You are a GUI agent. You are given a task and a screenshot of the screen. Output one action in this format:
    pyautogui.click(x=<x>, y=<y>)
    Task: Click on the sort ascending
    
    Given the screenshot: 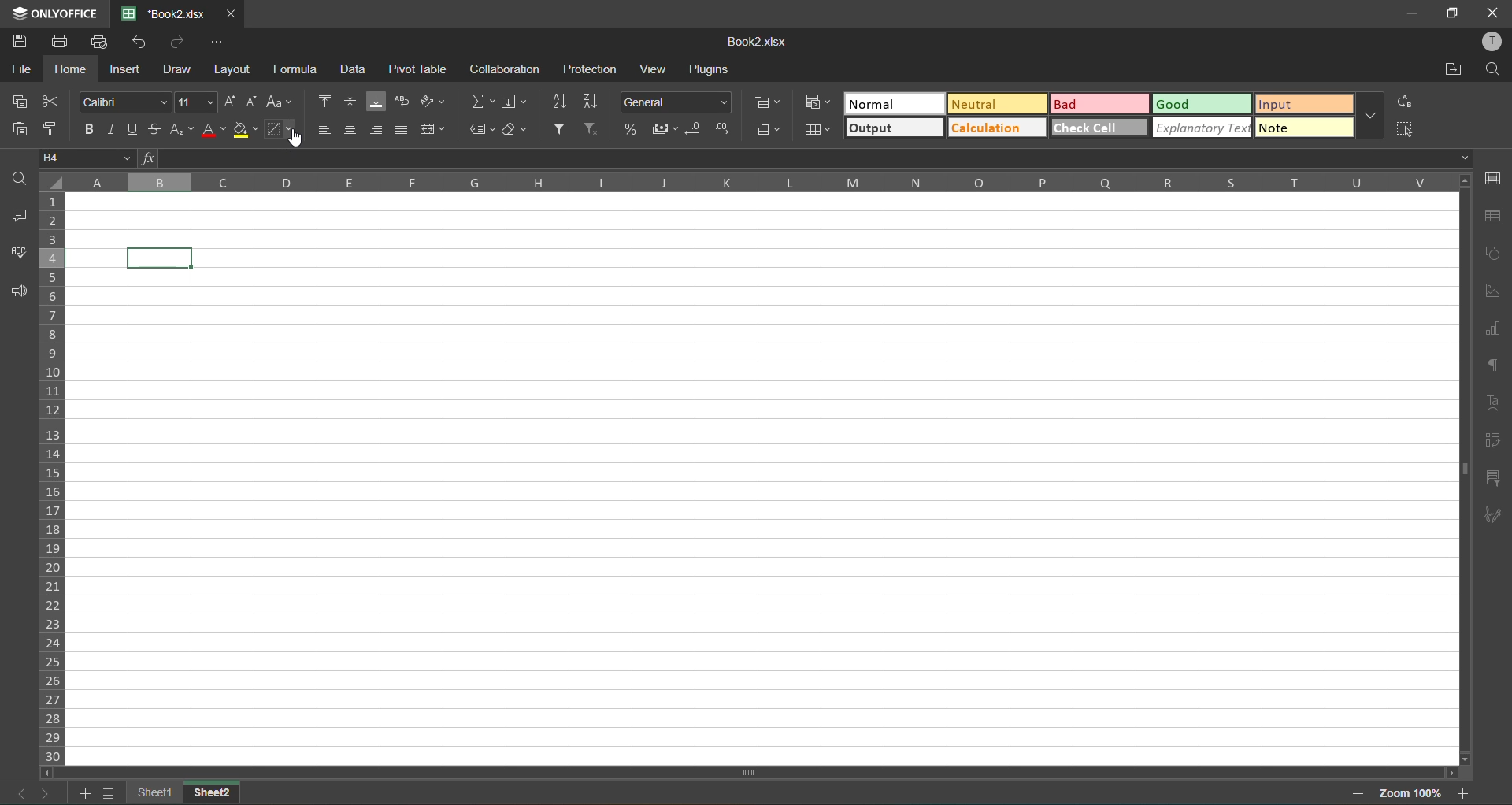 What is the action you would take?
    pyautogui.click(x=565, y=102)
    